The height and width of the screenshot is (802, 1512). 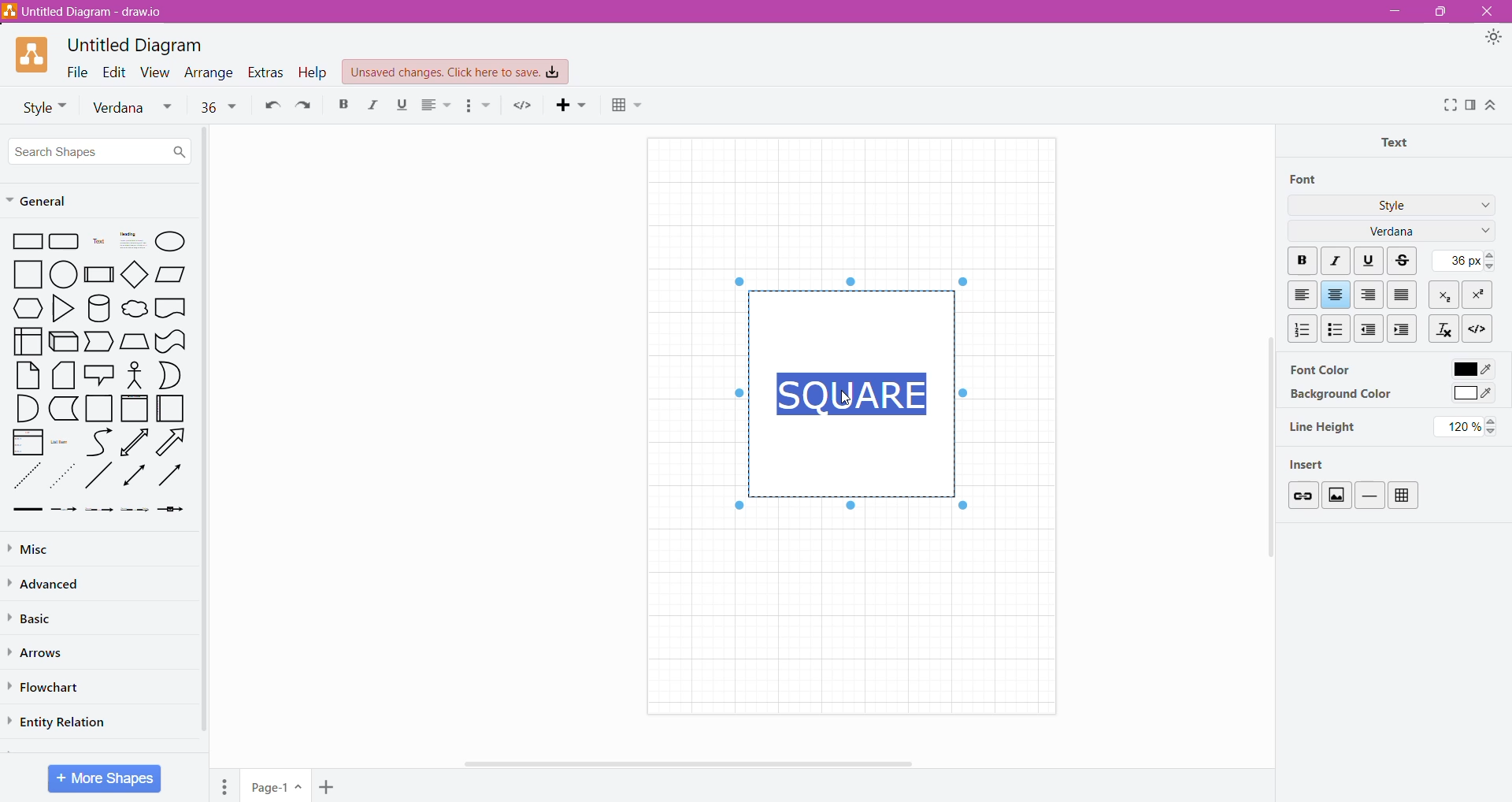 I want to click on Trapezoid, so click(x=99, y=343).